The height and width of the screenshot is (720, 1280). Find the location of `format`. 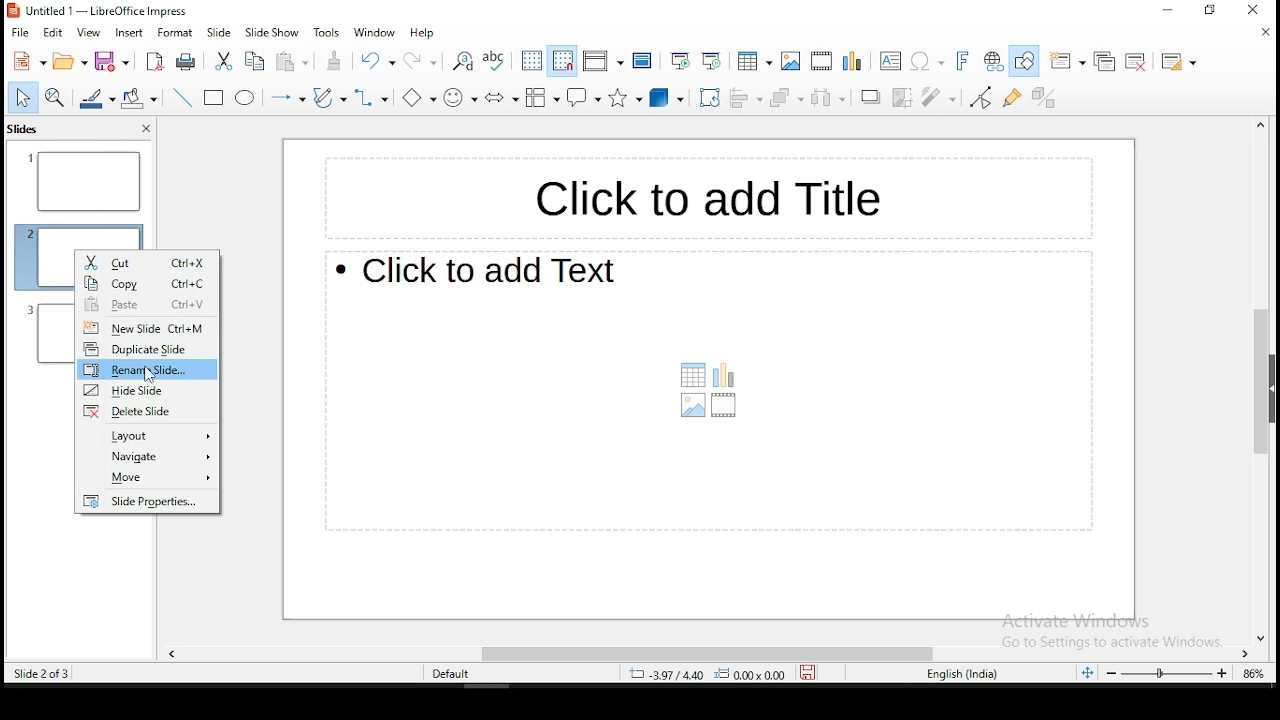

format is located at coordinates (176, 32).